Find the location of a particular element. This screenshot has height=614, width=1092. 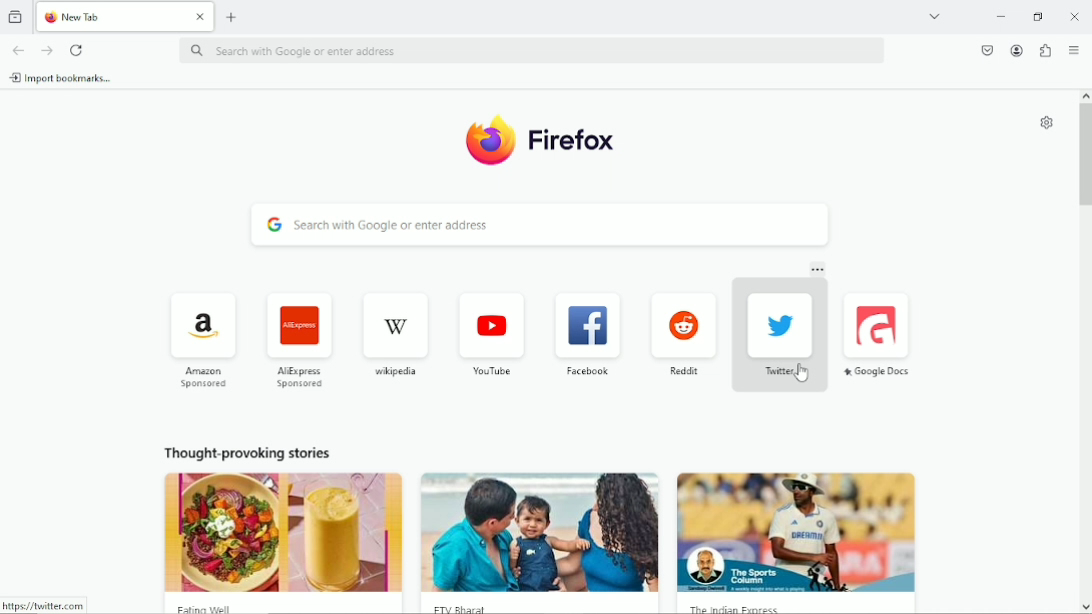

facebook is located at coordinates (588, 333).